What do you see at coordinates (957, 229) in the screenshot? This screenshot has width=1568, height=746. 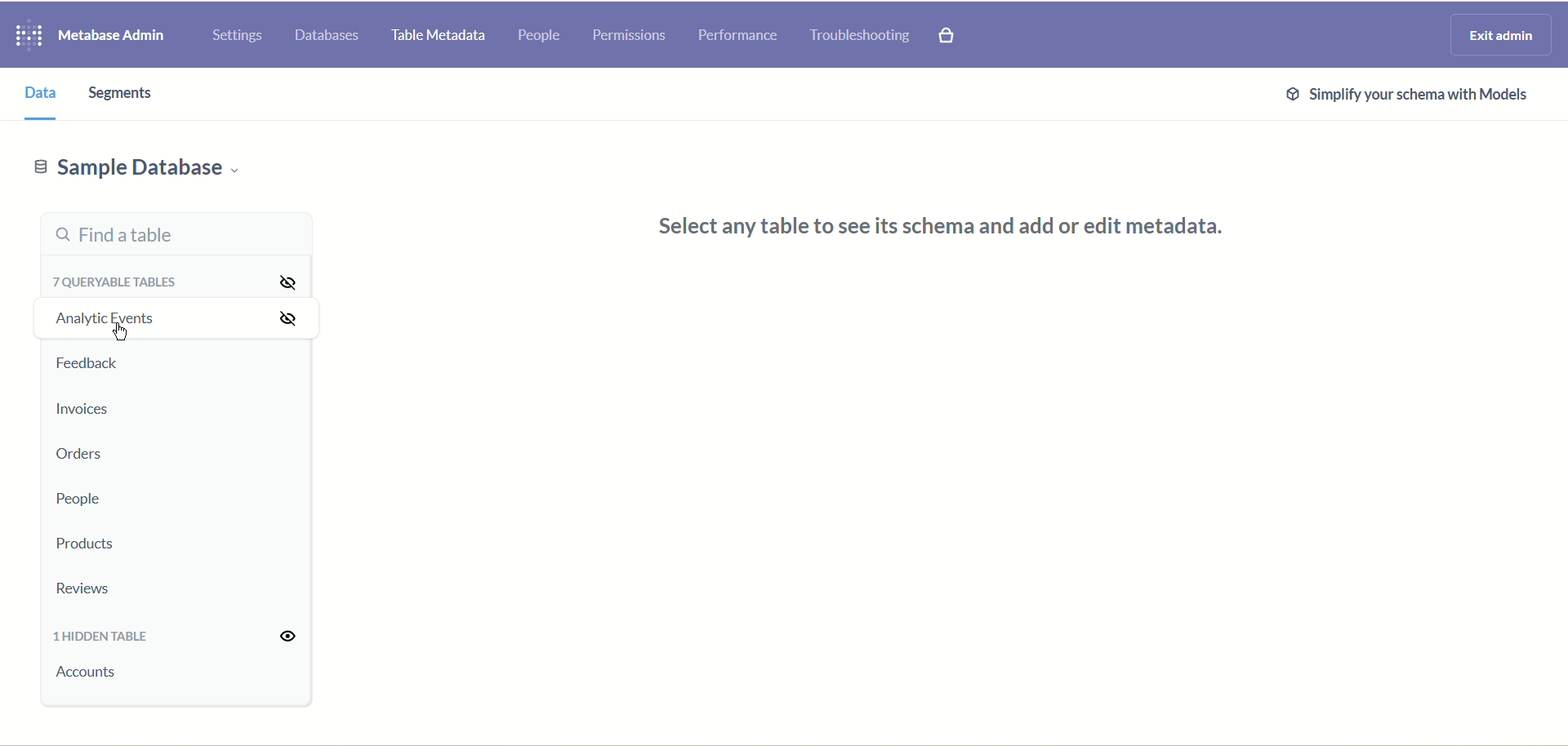 I see `select any table to see its schema and add or edit metadata` at bounding box center [957, 229].